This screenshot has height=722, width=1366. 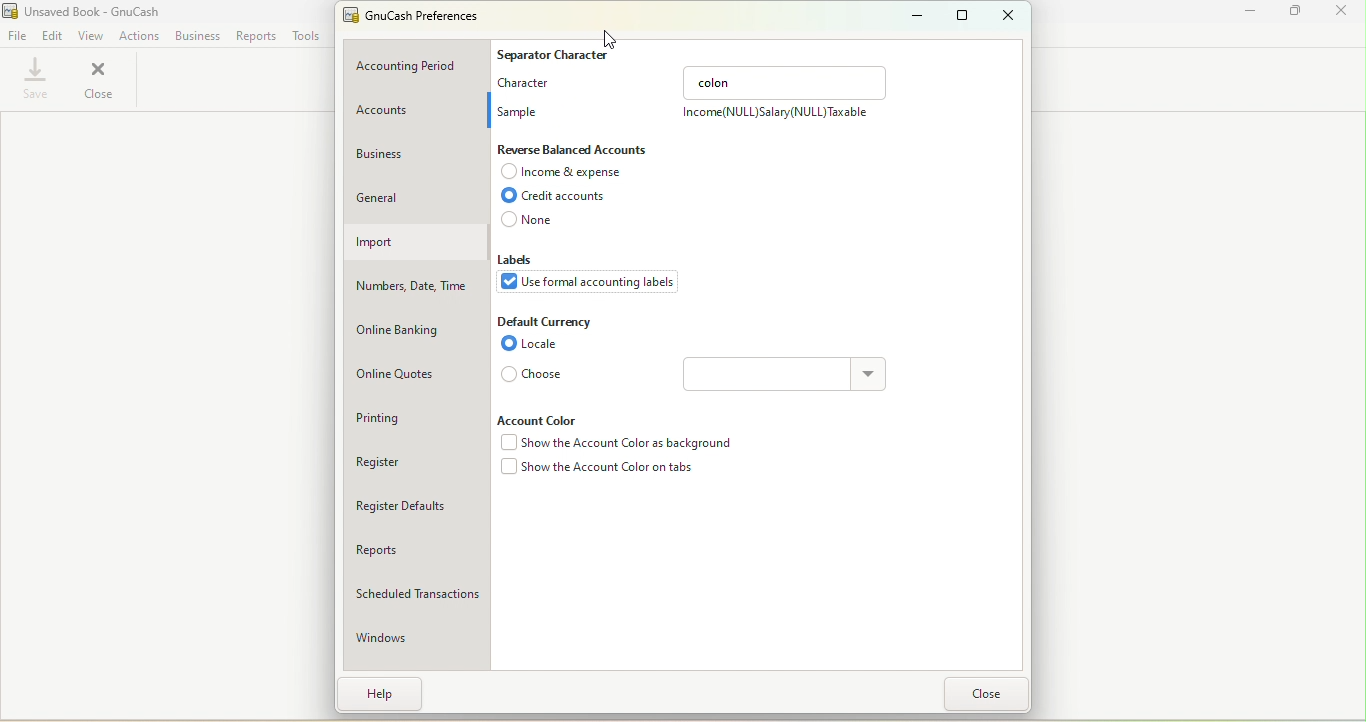 I want to click on Maximize, so click(x=960, y=15).